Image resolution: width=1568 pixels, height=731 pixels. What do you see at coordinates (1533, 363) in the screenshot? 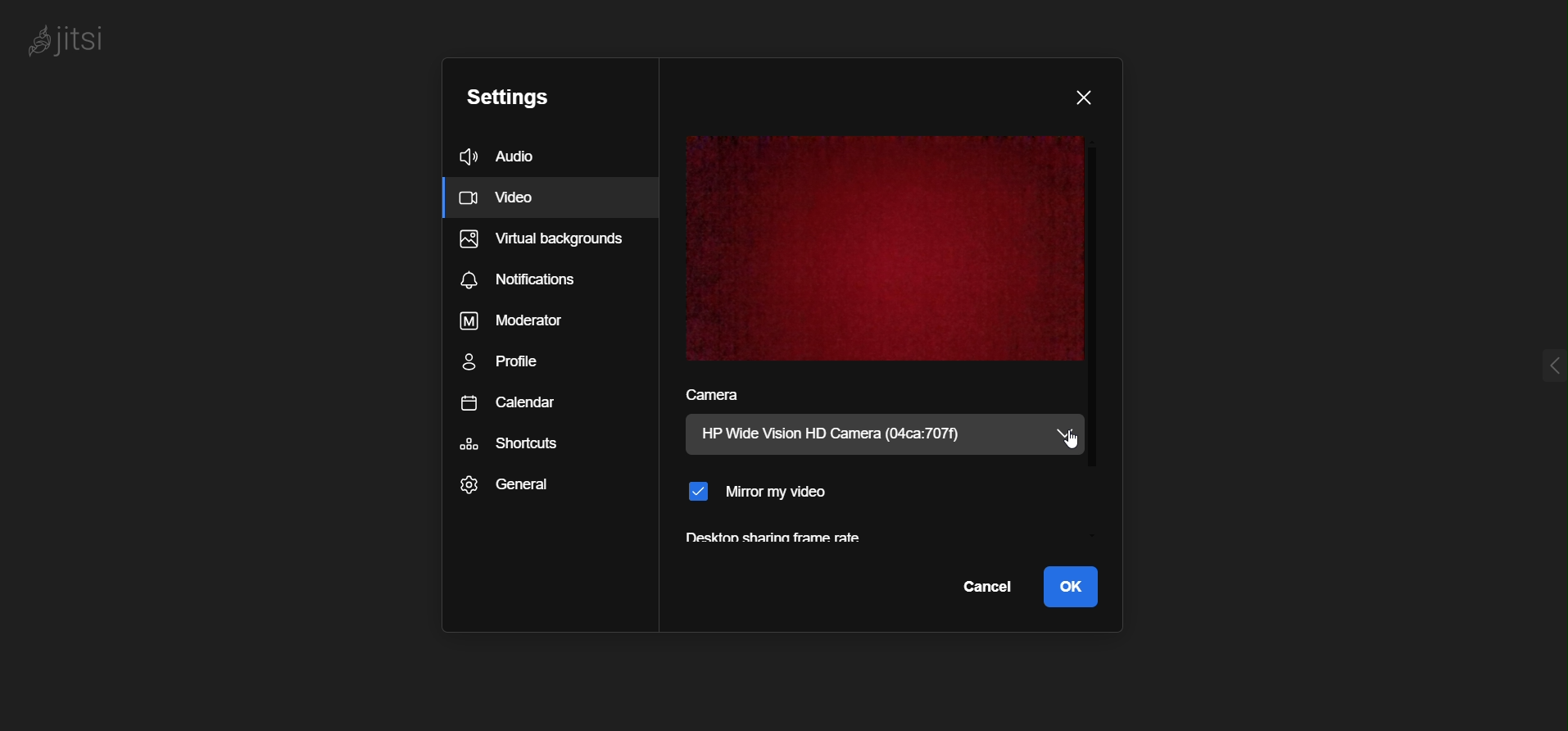
I see `expnd` at bounding box center [1533, 363].